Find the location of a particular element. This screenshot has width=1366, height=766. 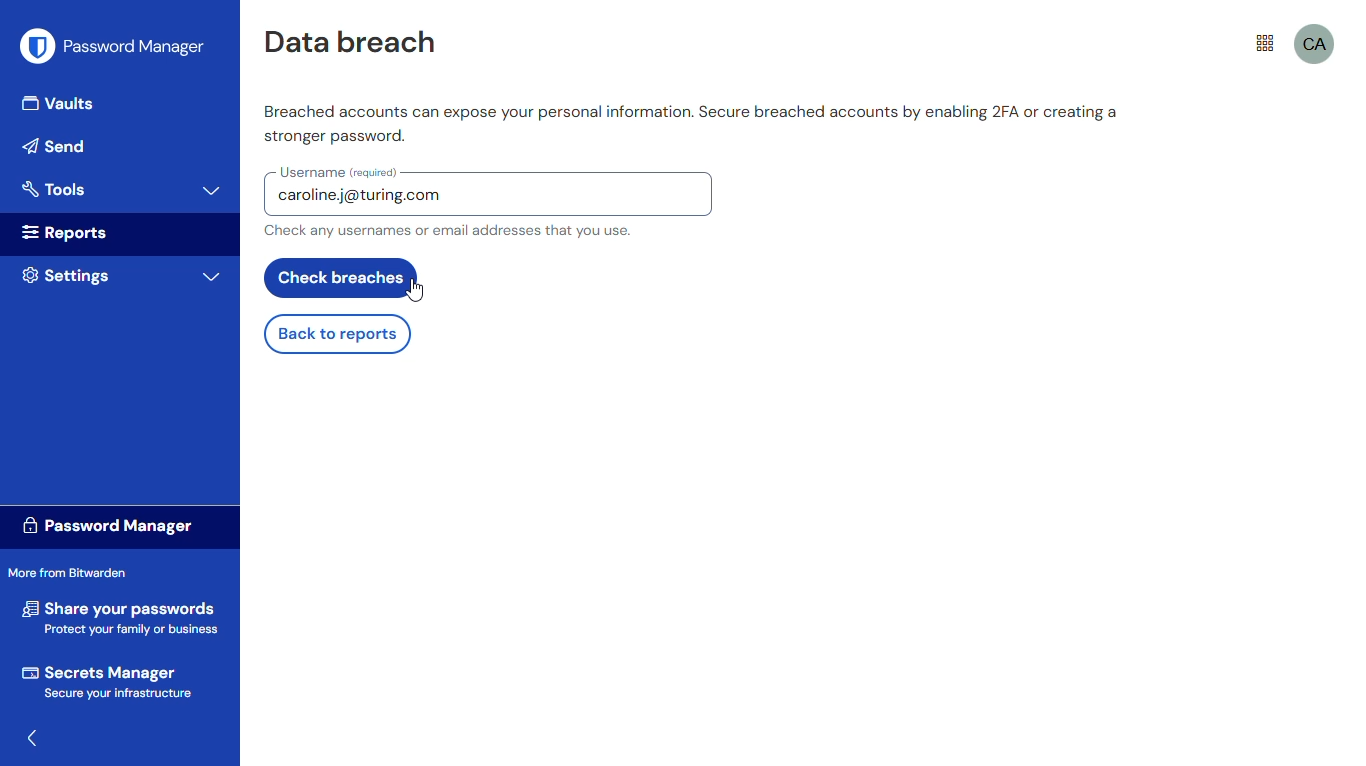

toggle expand is located at coordinates (213, 190).